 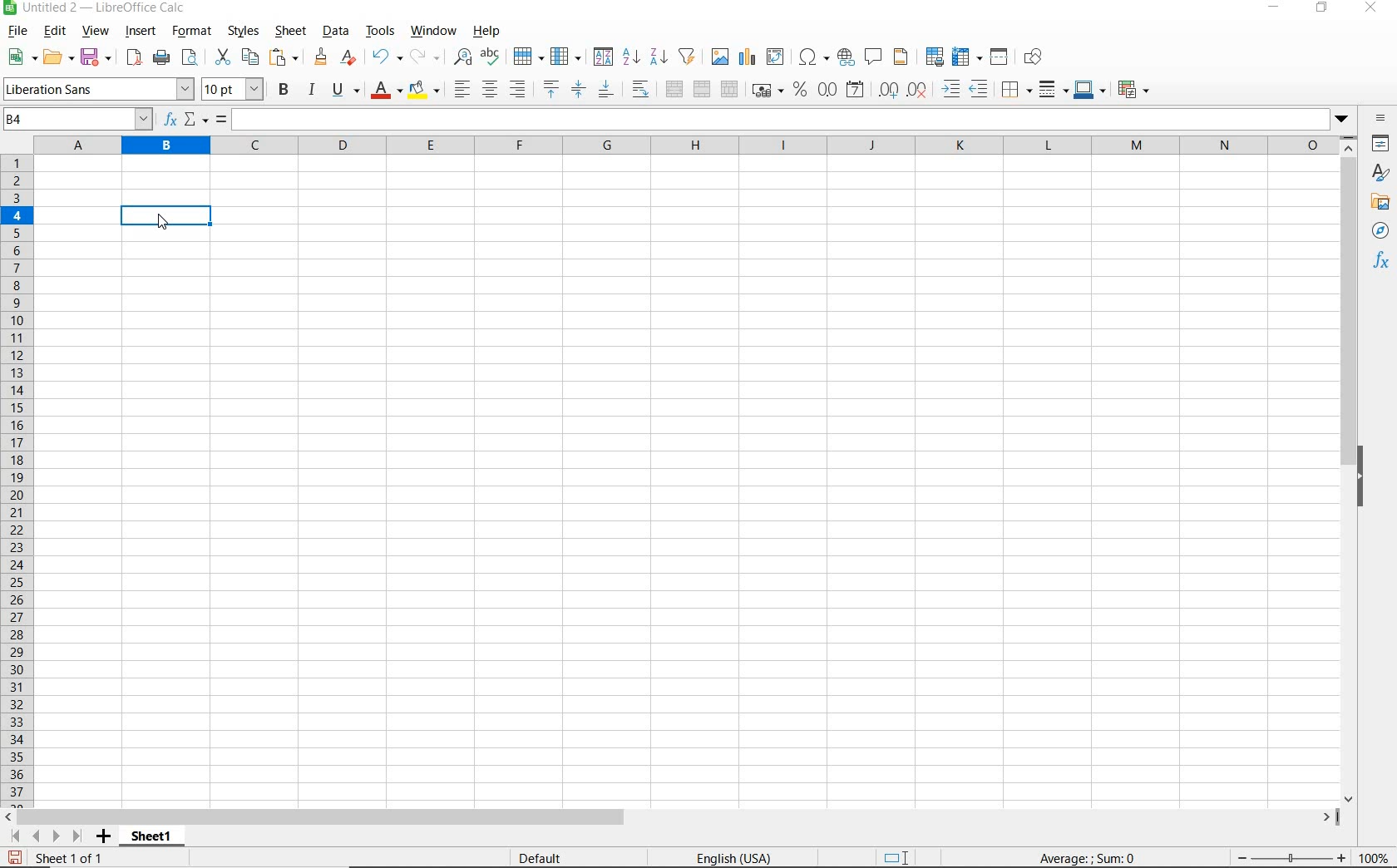 What do you see at coordinates (673, 817) in the screenshot?
I see `scrollbar` at bounding box center [673, 817].